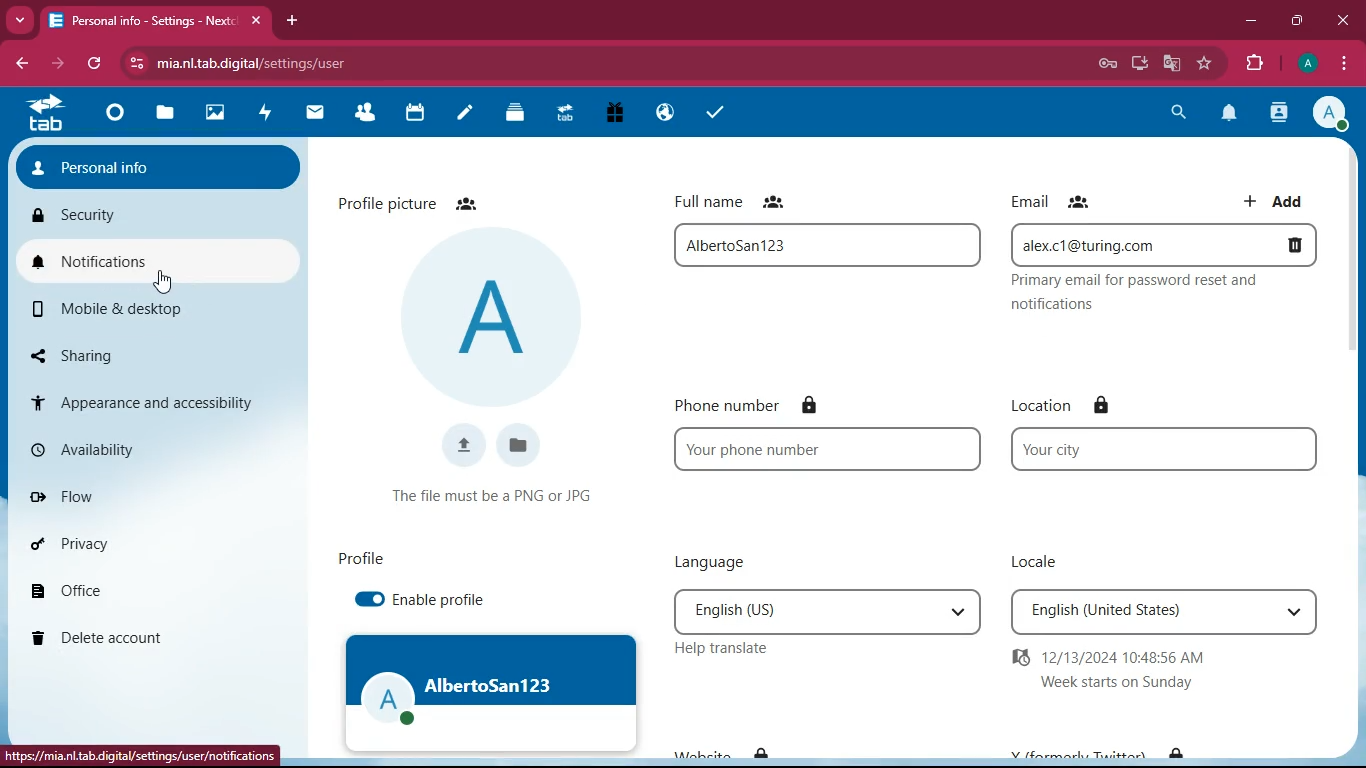 The height and width of the screenshot is (768, 1366). I want to click on calendar, so click(419, 114).